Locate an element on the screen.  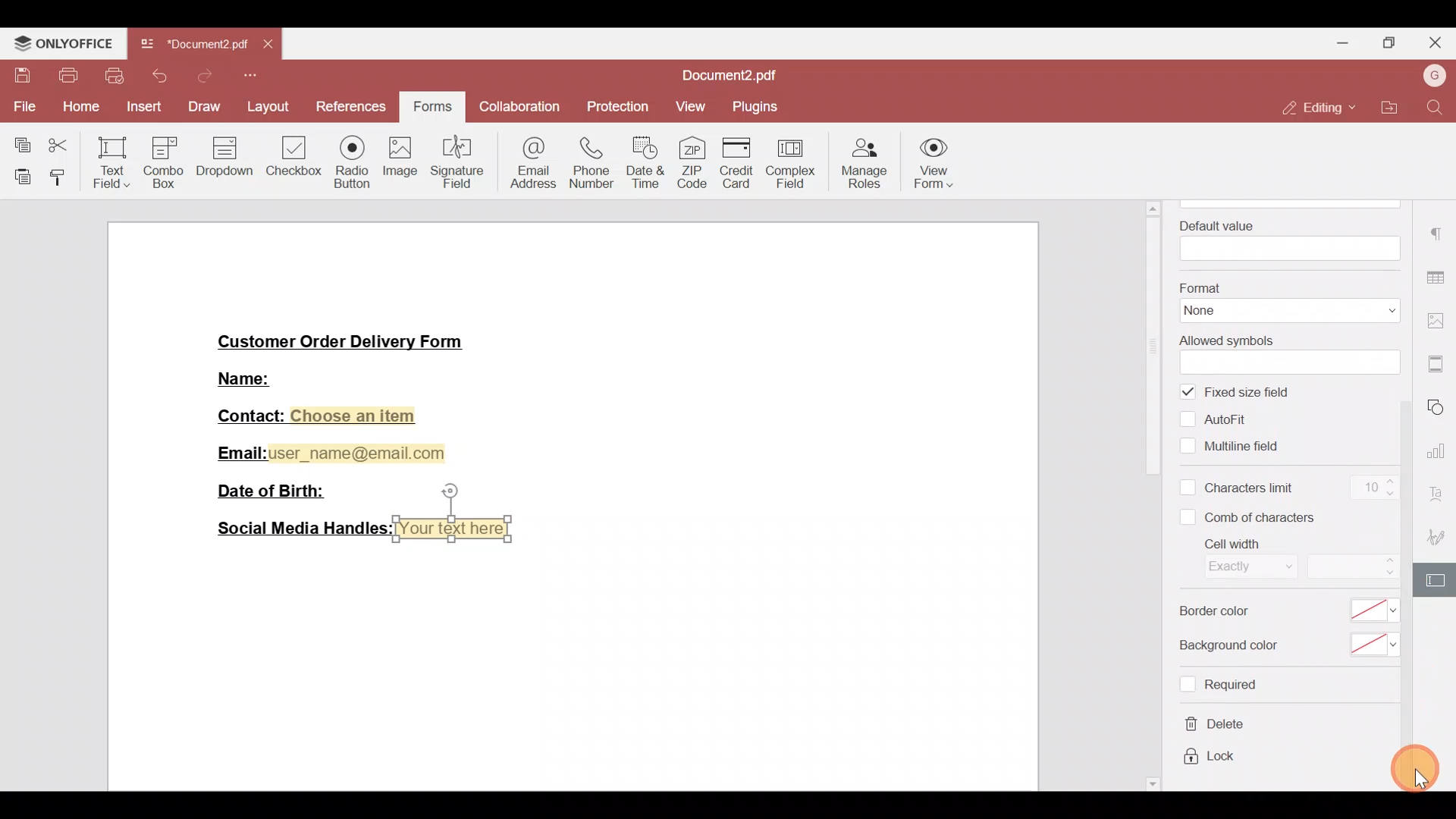
References is located at coordinates (349, 105).